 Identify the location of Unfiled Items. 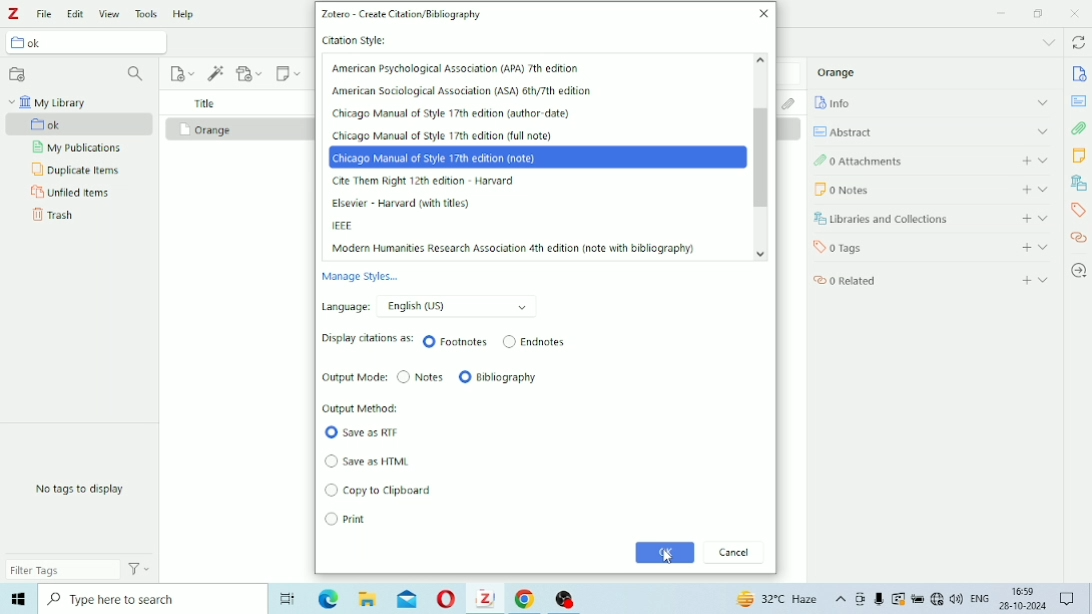
(71, 193).